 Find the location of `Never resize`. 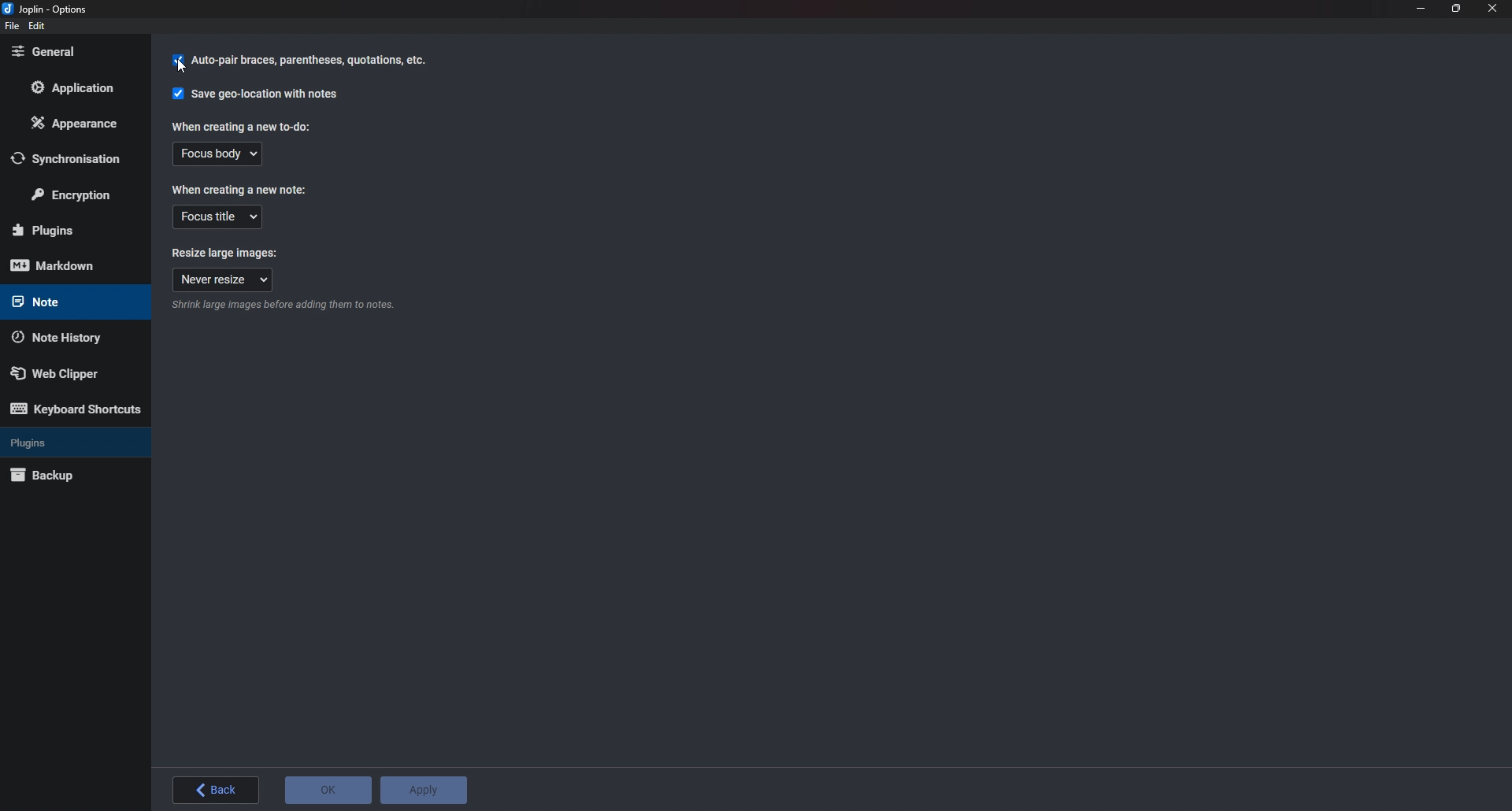

Never resize is located at coordinates (224, 280).